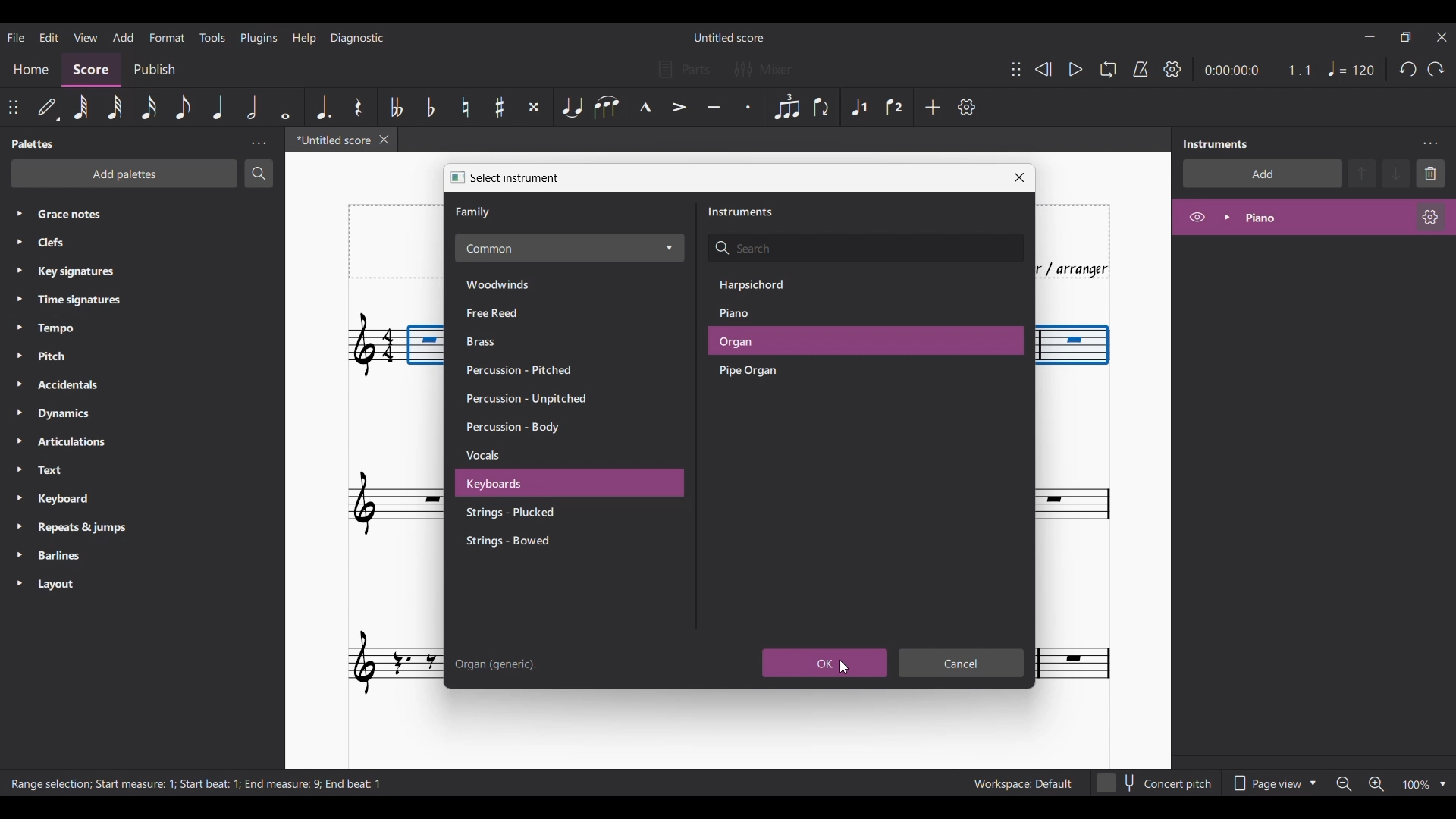 The height and width of the screenshot is (819, 1456). What do you see at coordinates (1082, 268) in the screenshot?
I see `/arranger` at bounding box center [1082, 268].